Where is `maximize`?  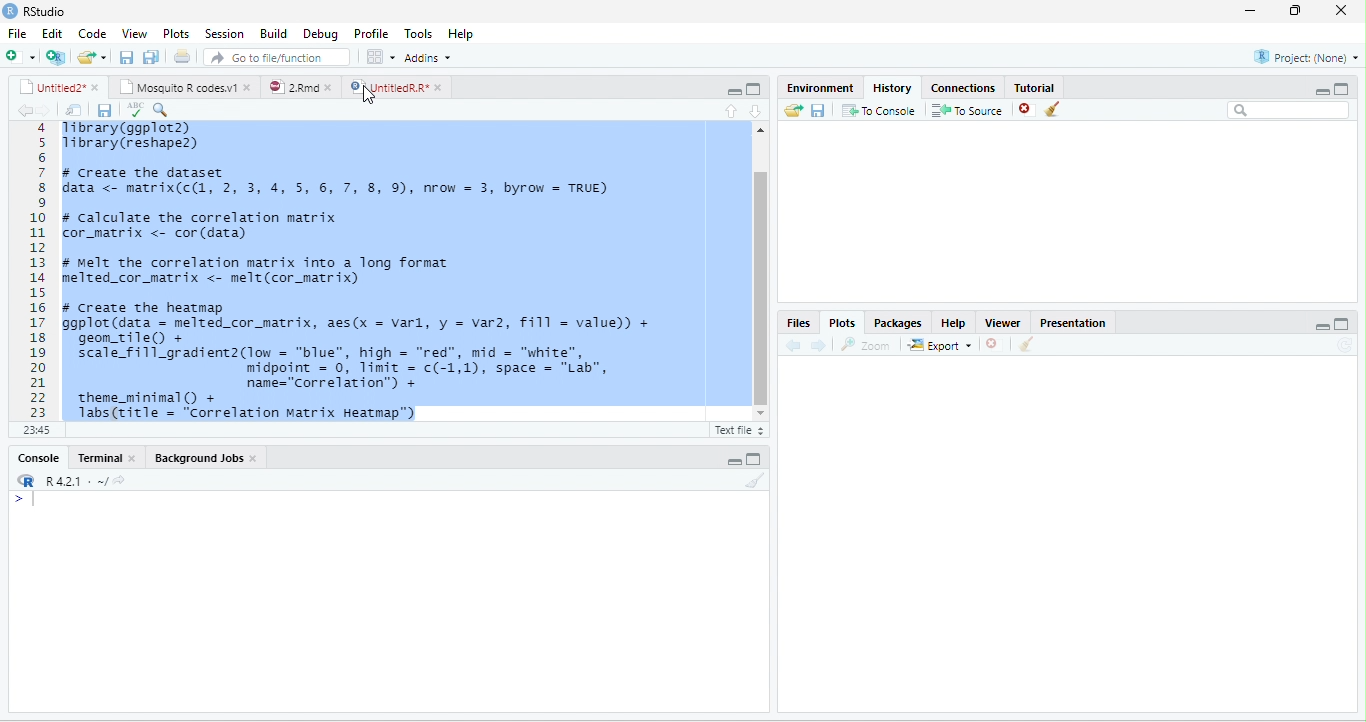
maximize is located at coordinates (753, 89).